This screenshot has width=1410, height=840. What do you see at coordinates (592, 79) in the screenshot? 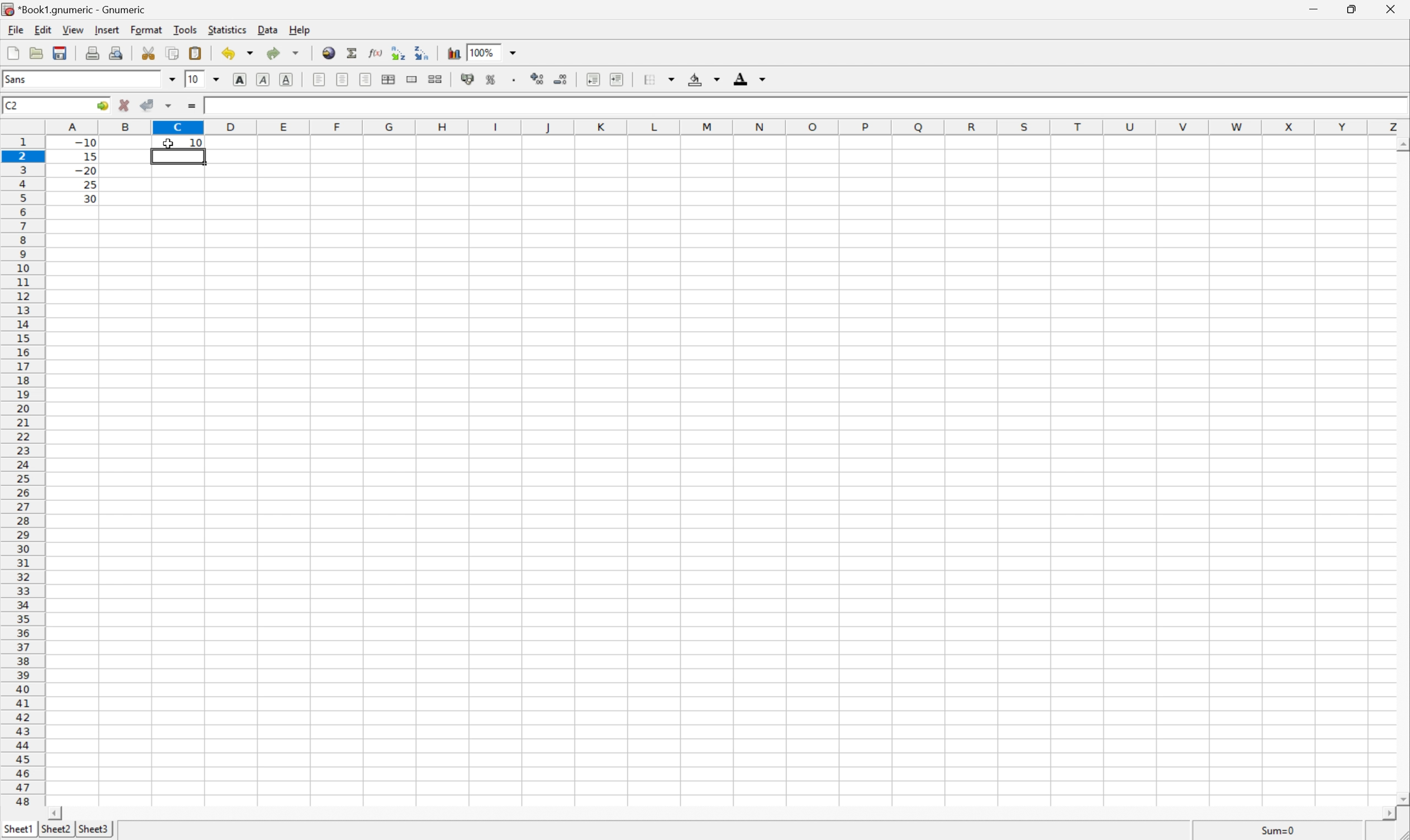
I see `decrease Indent, and align the content to the left` at bounding box center [592, 79].